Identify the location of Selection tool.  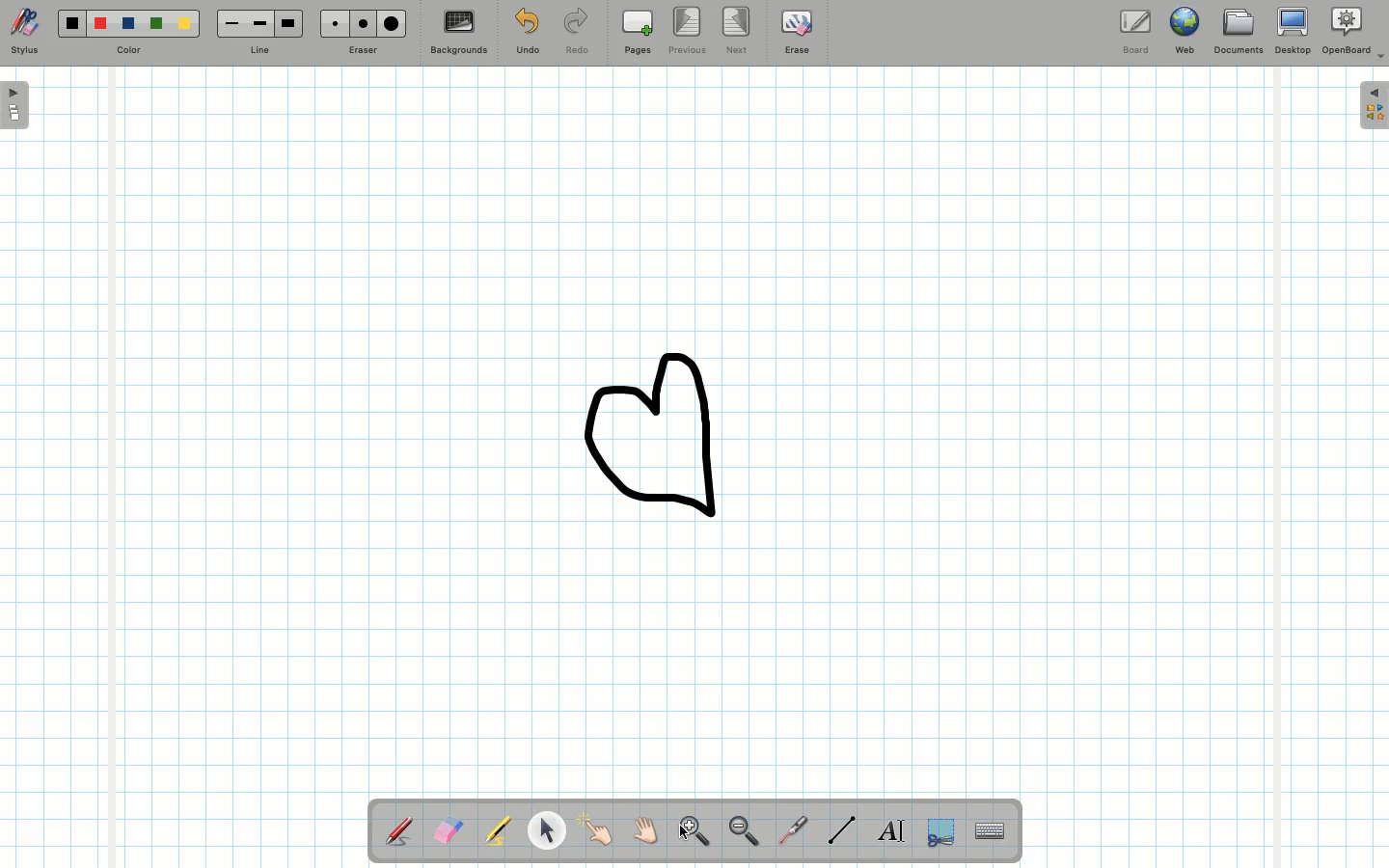
(937, 833).